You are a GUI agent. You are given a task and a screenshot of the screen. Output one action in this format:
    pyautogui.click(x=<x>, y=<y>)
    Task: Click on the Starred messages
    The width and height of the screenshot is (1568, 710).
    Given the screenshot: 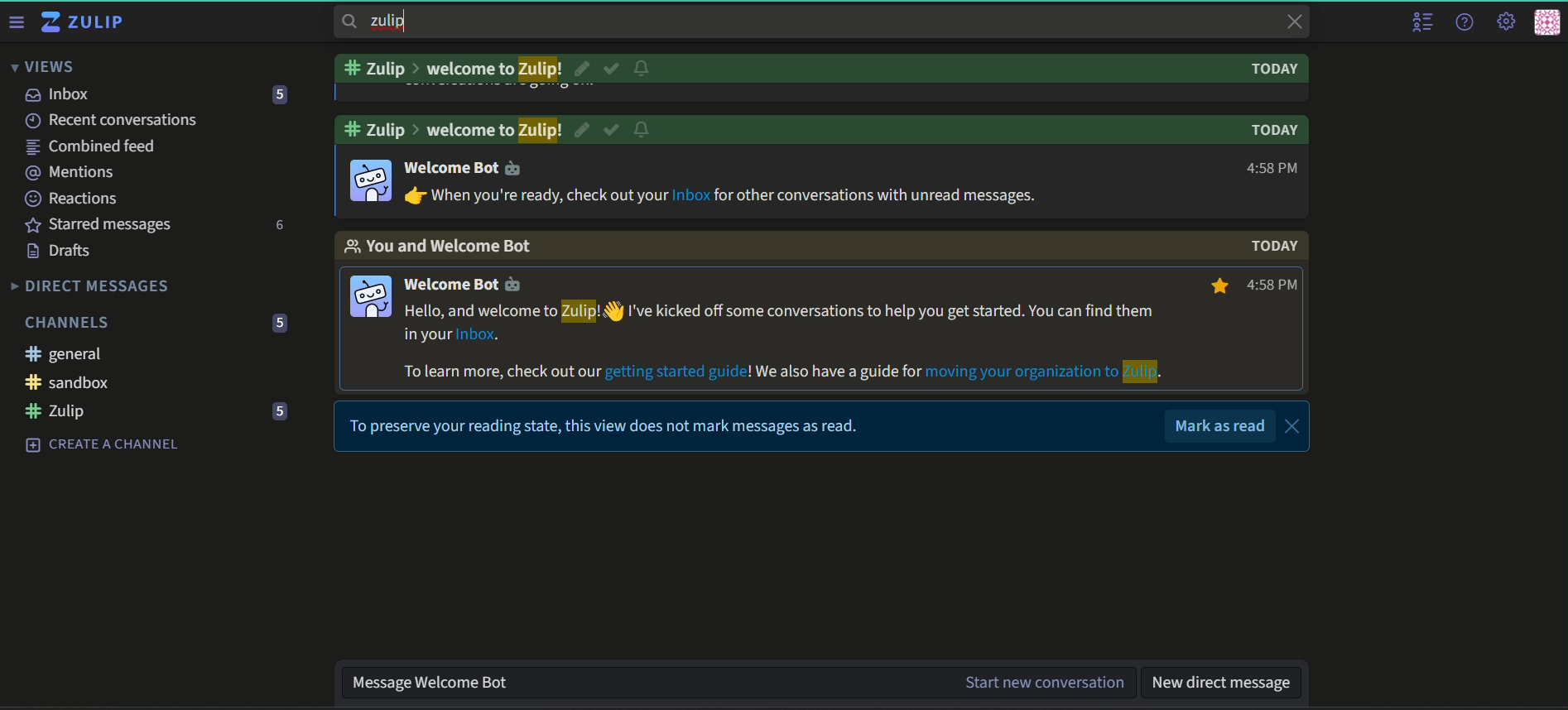 What is the action you would take?
    pyautogui.click(x=102, y=223)
    